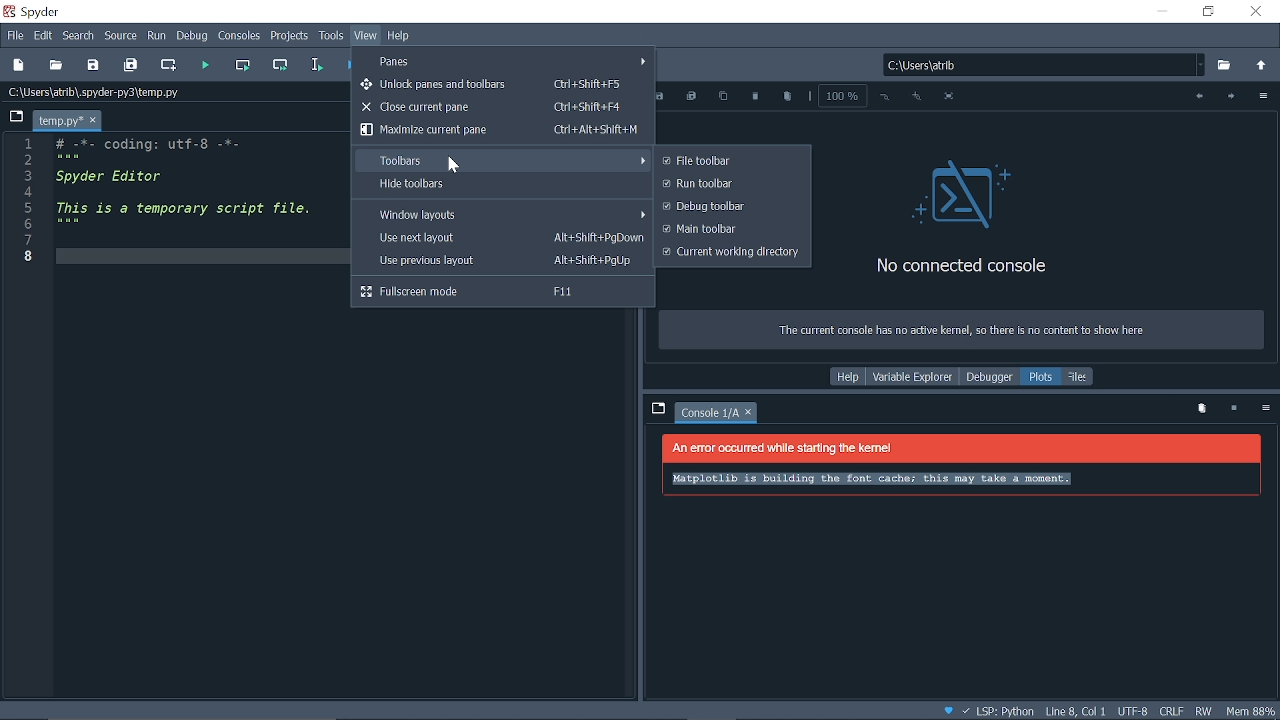 Image resolution: width=1280 pixels, height=720 pixels. What do you see at coordinates (500, 261) in the screenshot?
I see `Use previous layout` at bounding box center [500, 261].